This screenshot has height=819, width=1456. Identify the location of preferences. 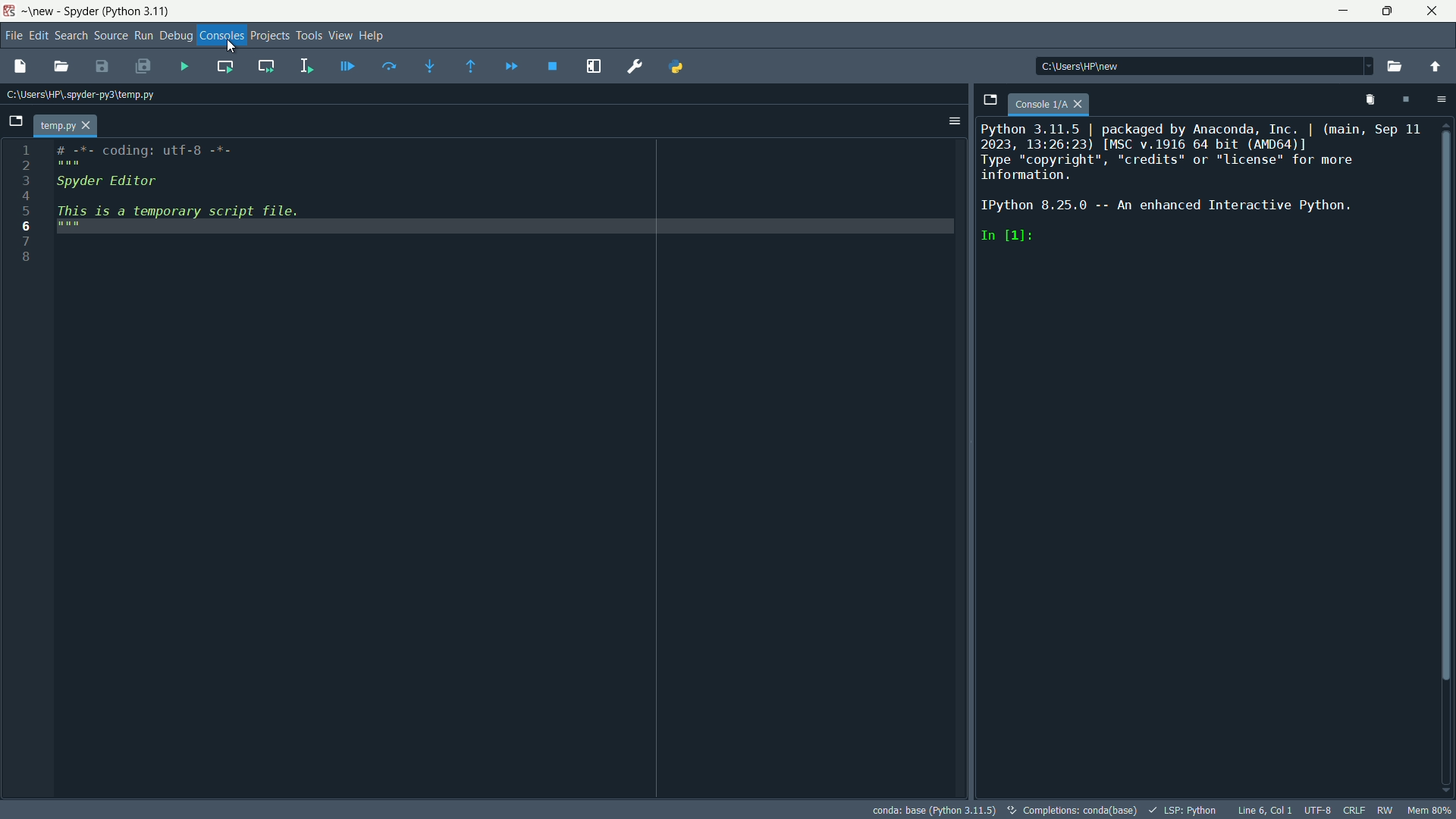
(631, 65).